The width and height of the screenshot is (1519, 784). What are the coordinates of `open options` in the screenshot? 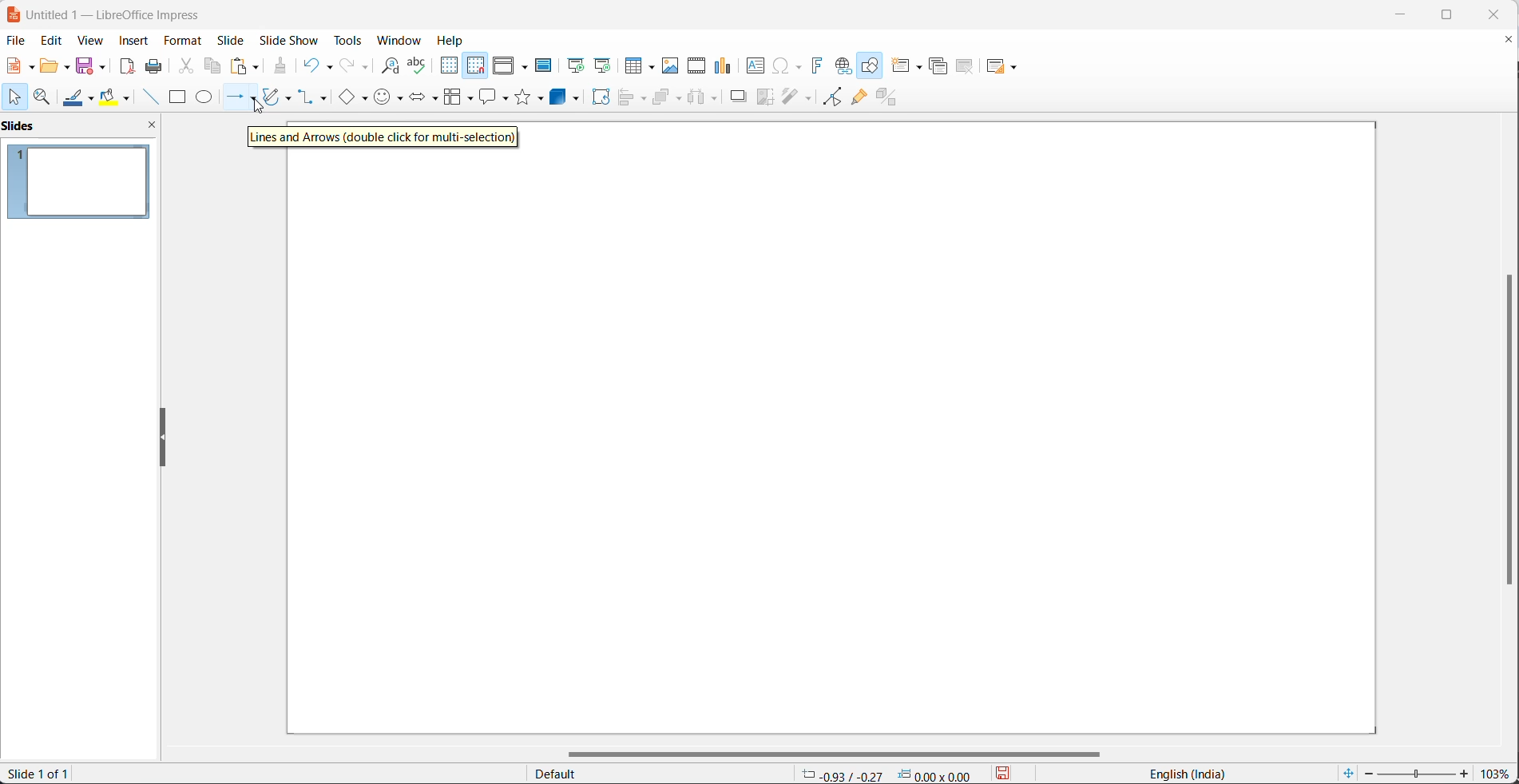 It's located at (53, 65).